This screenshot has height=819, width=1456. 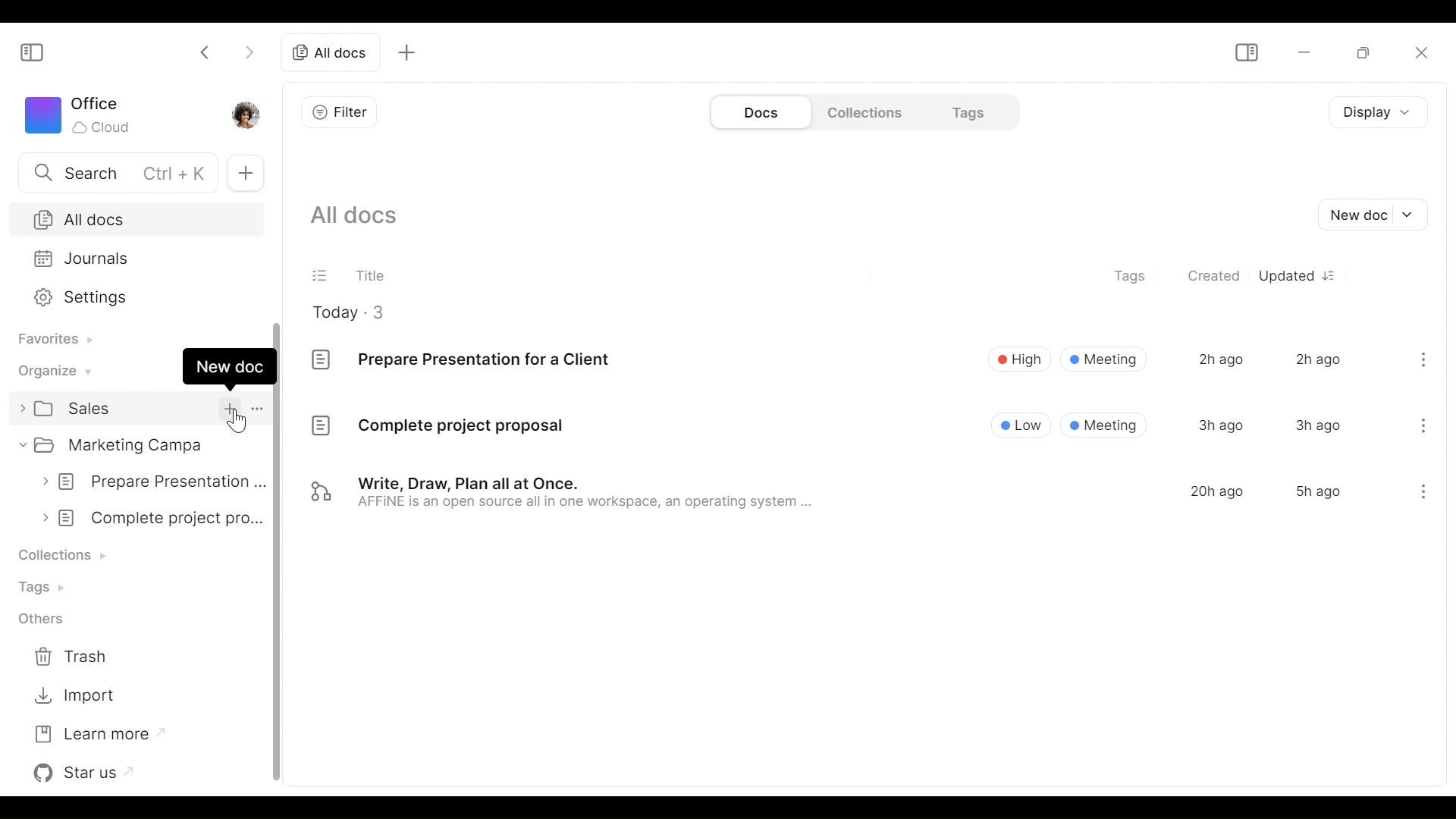 What do you see at coordinates (1215, 277) in the screenshot?
I see `Created` at bounding box center [1215, 277].